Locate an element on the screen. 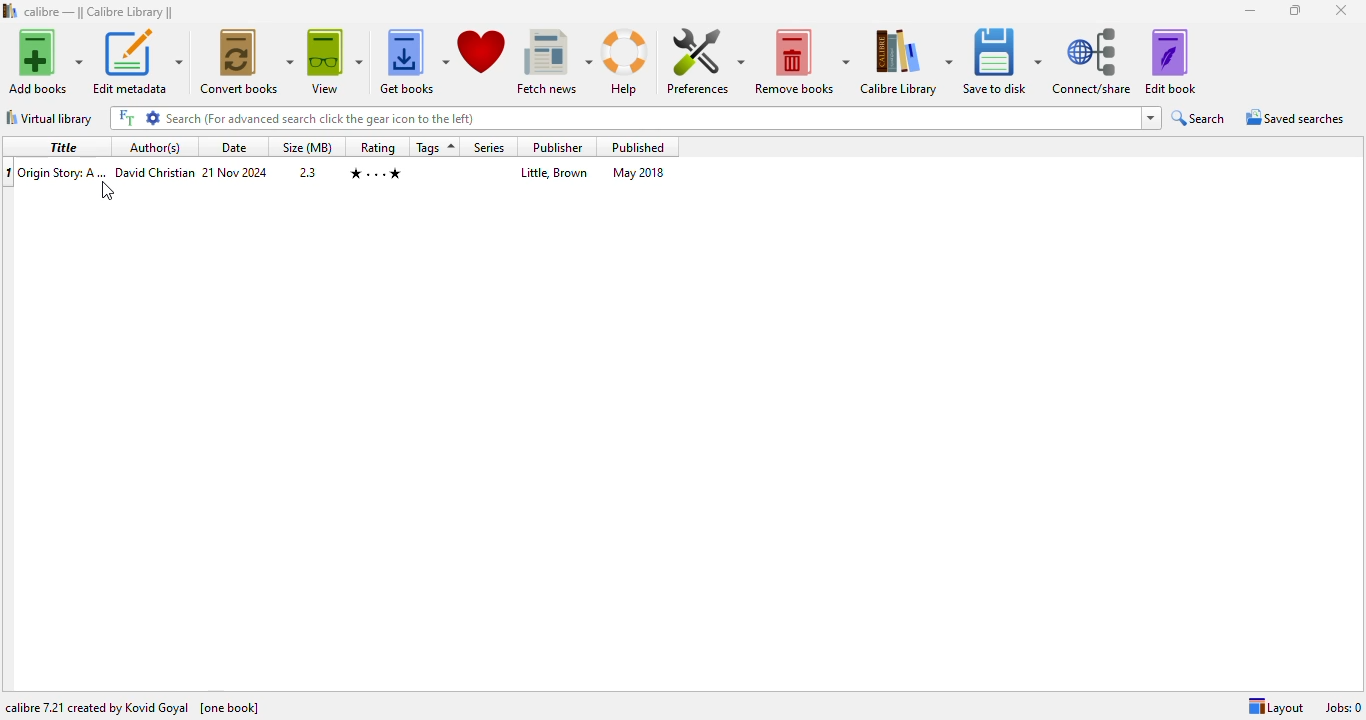 This screenshot has height=720, width=1366. fetch news is located at coordinates (555, 58).